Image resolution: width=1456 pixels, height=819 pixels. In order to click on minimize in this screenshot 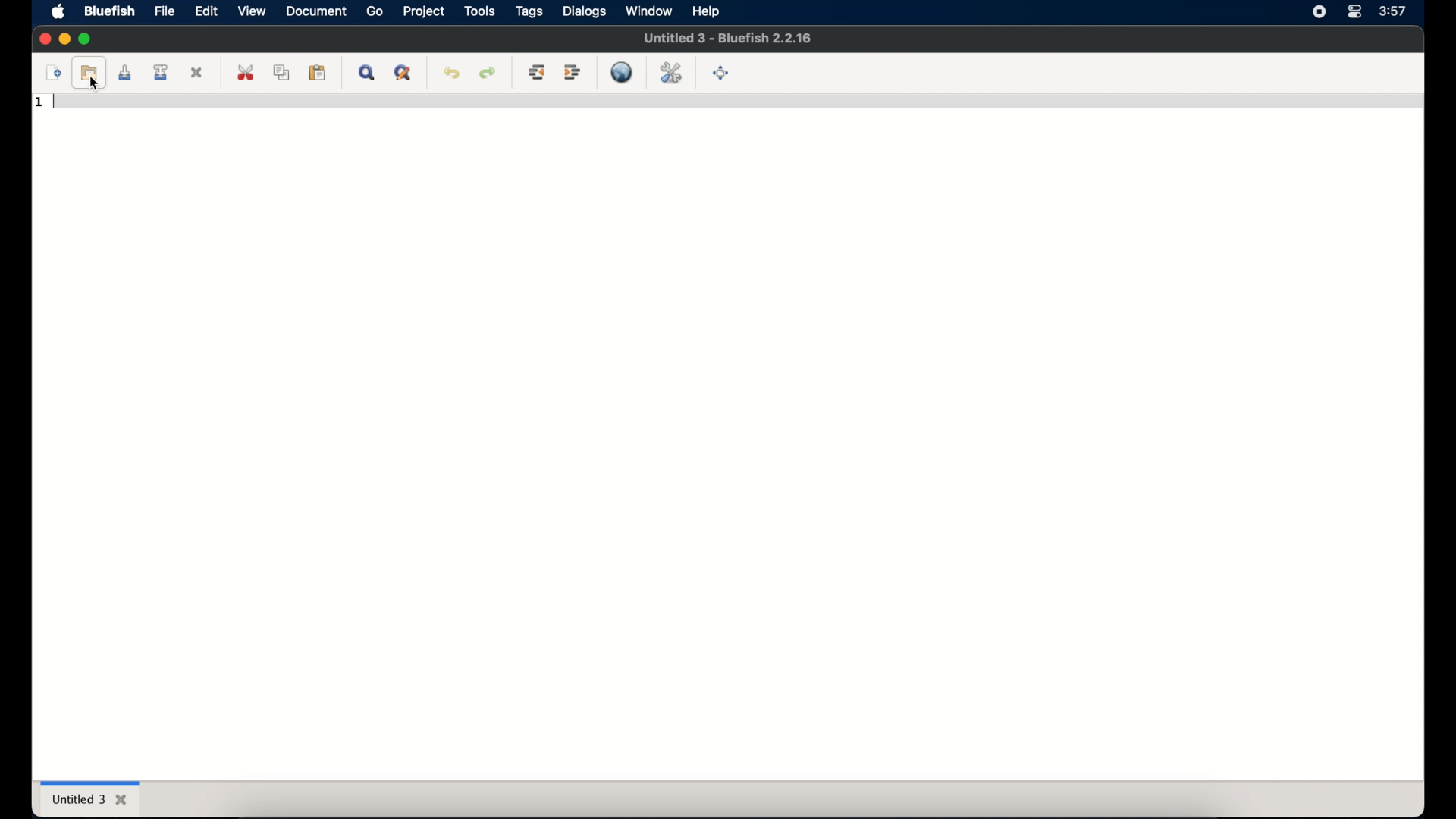, I will do `click(64, 38)`.